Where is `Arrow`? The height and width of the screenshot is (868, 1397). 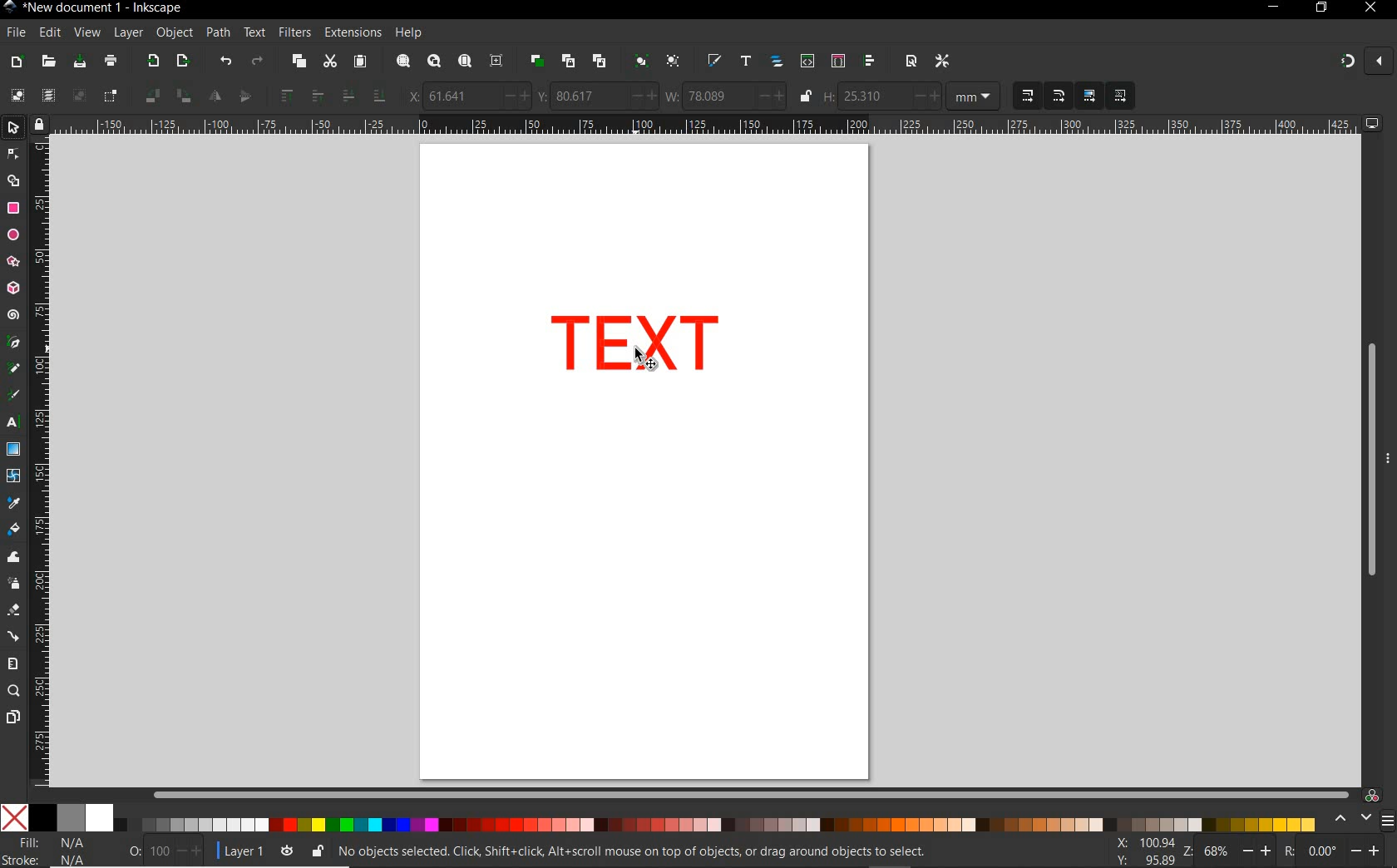
Arrow is located at coordinates (15, 167).